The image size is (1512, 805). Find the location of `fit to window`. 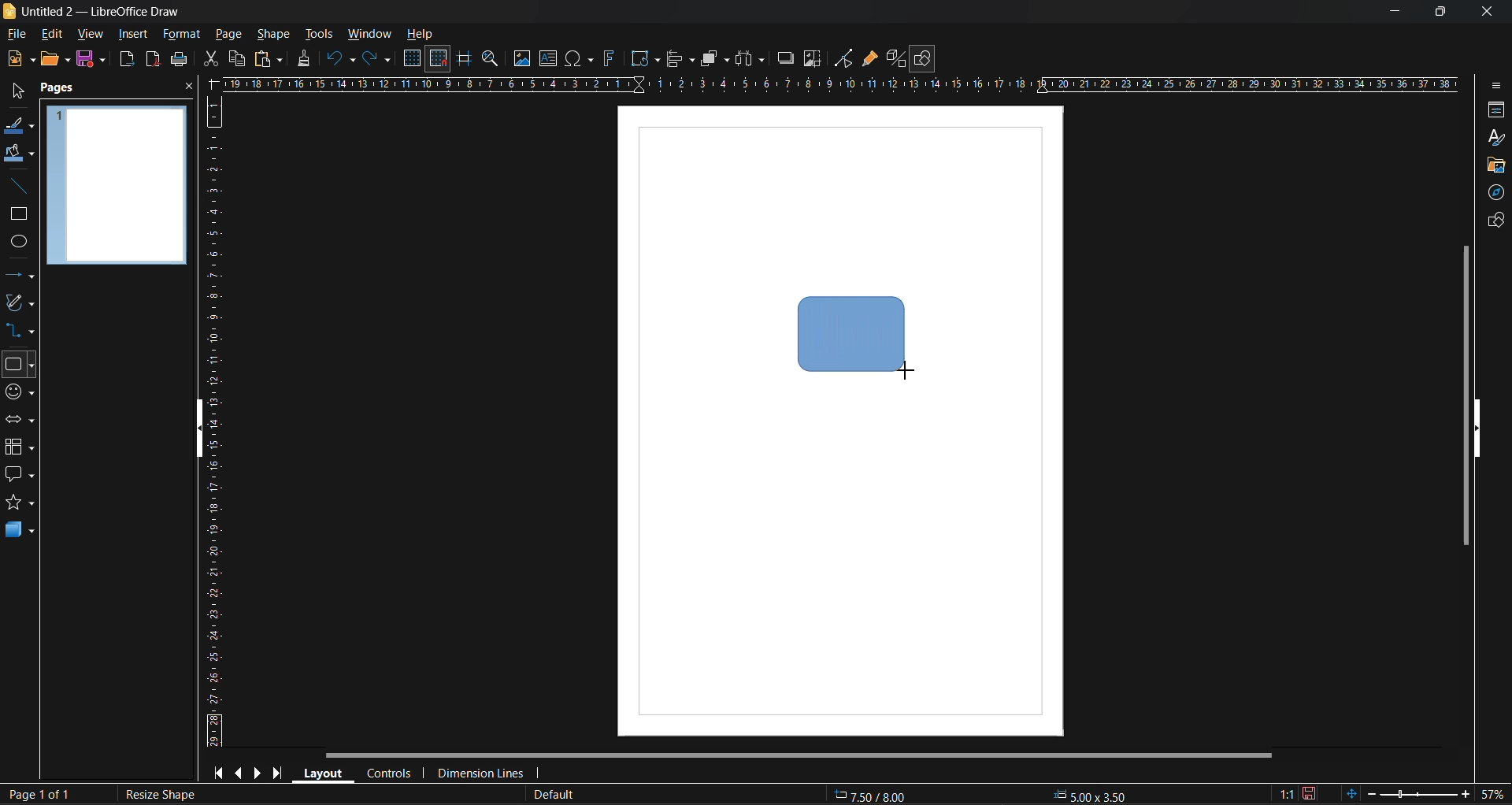

fit to window is located at coordinates (1351, 793).